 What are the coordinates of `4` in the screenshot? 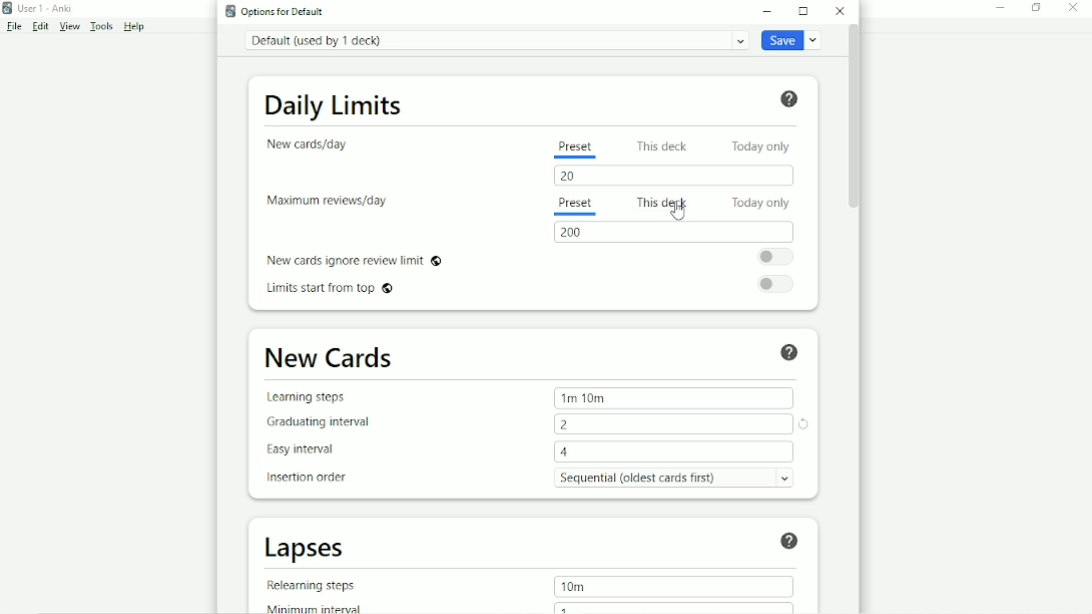 It's located at (567, 452).